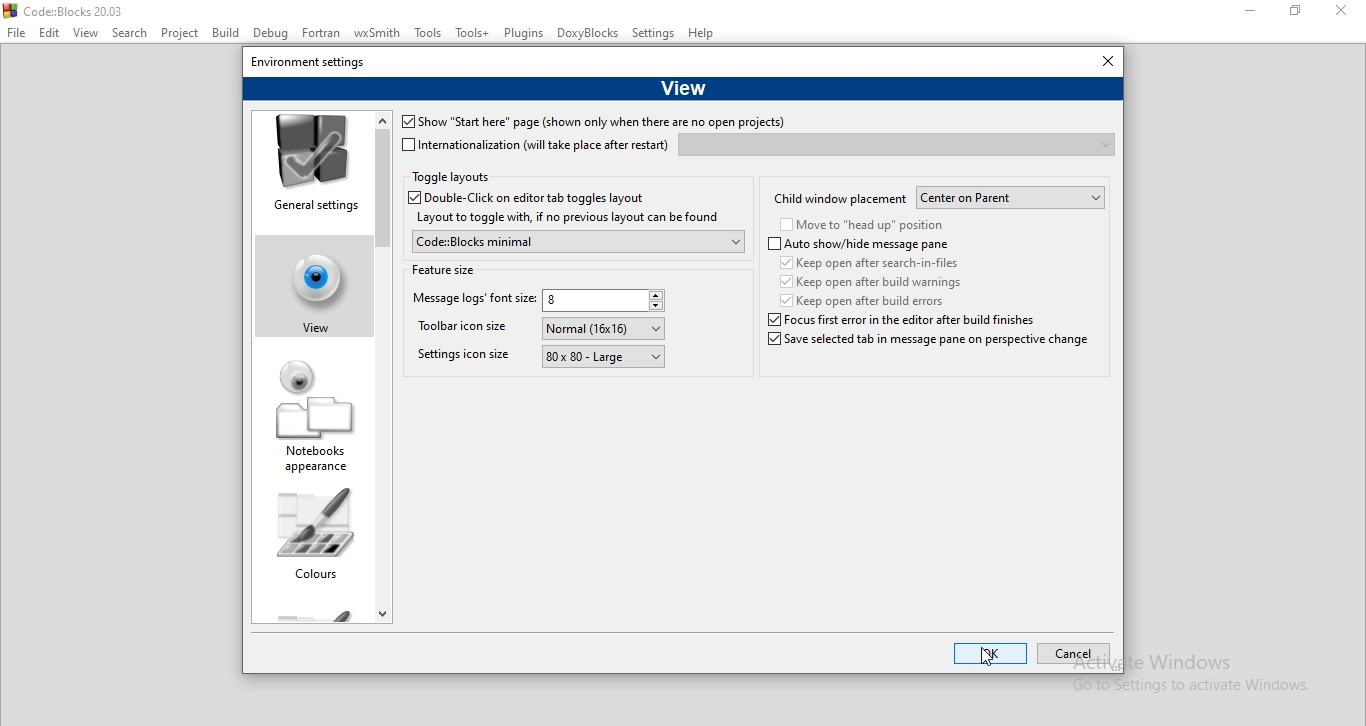  What do you see at coordinates (430, 36) in the screenshot?
I see `Tools` at bounding box center [430, 36].